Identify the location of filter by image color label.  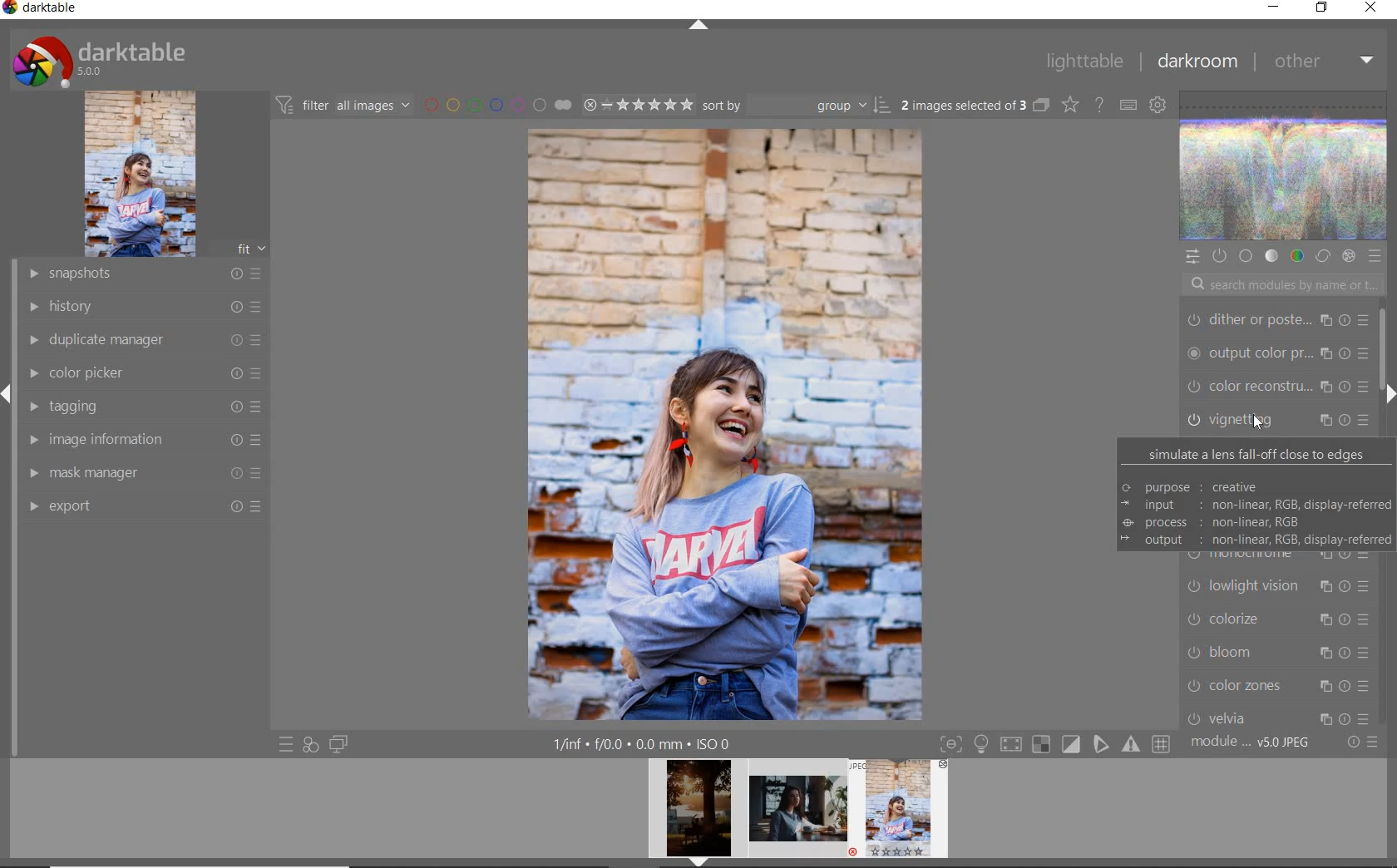
(496, 104).